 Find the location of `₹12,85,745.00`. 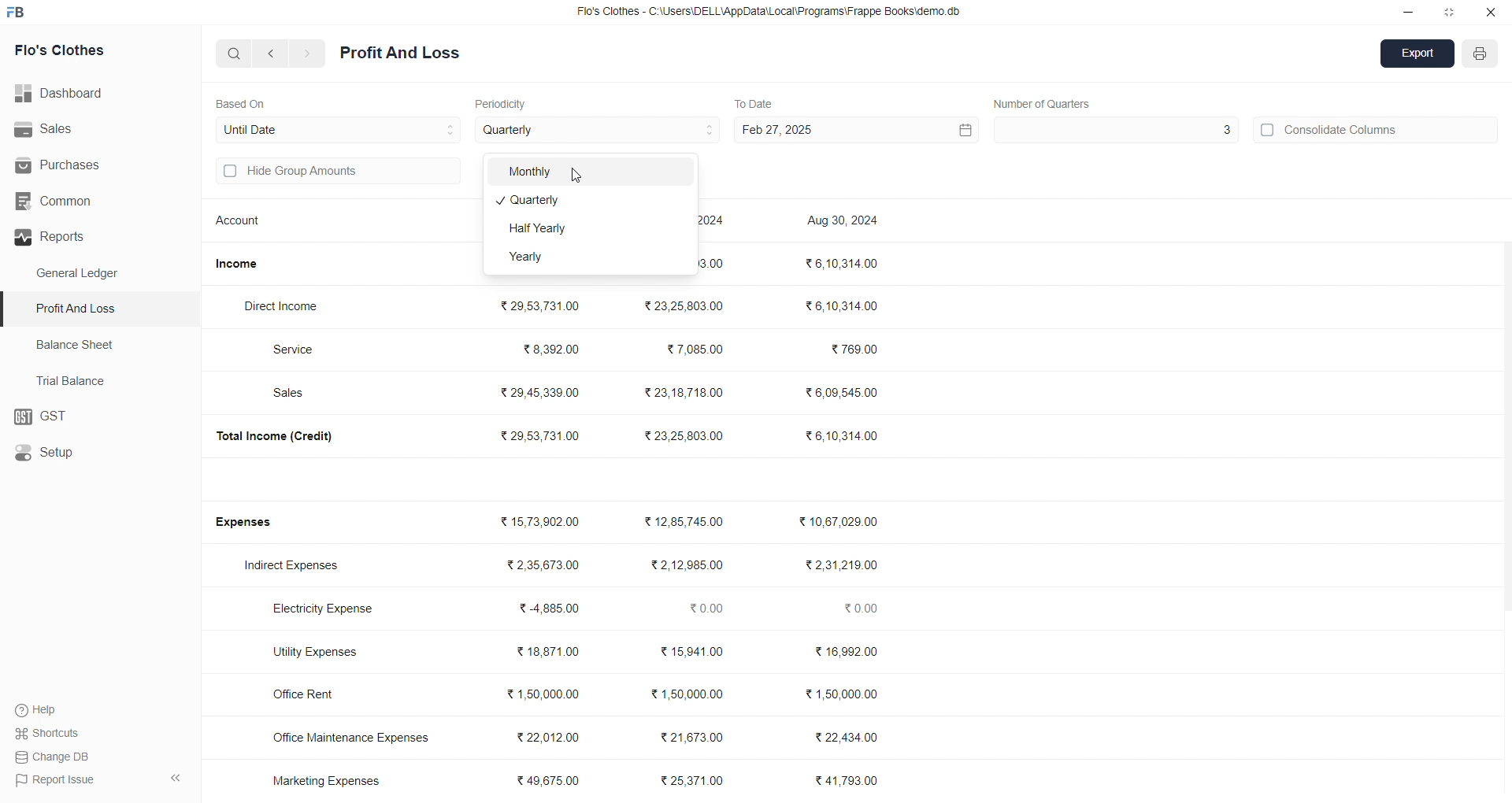

₹12,85,745.00 is located at coordinates (693, 522).